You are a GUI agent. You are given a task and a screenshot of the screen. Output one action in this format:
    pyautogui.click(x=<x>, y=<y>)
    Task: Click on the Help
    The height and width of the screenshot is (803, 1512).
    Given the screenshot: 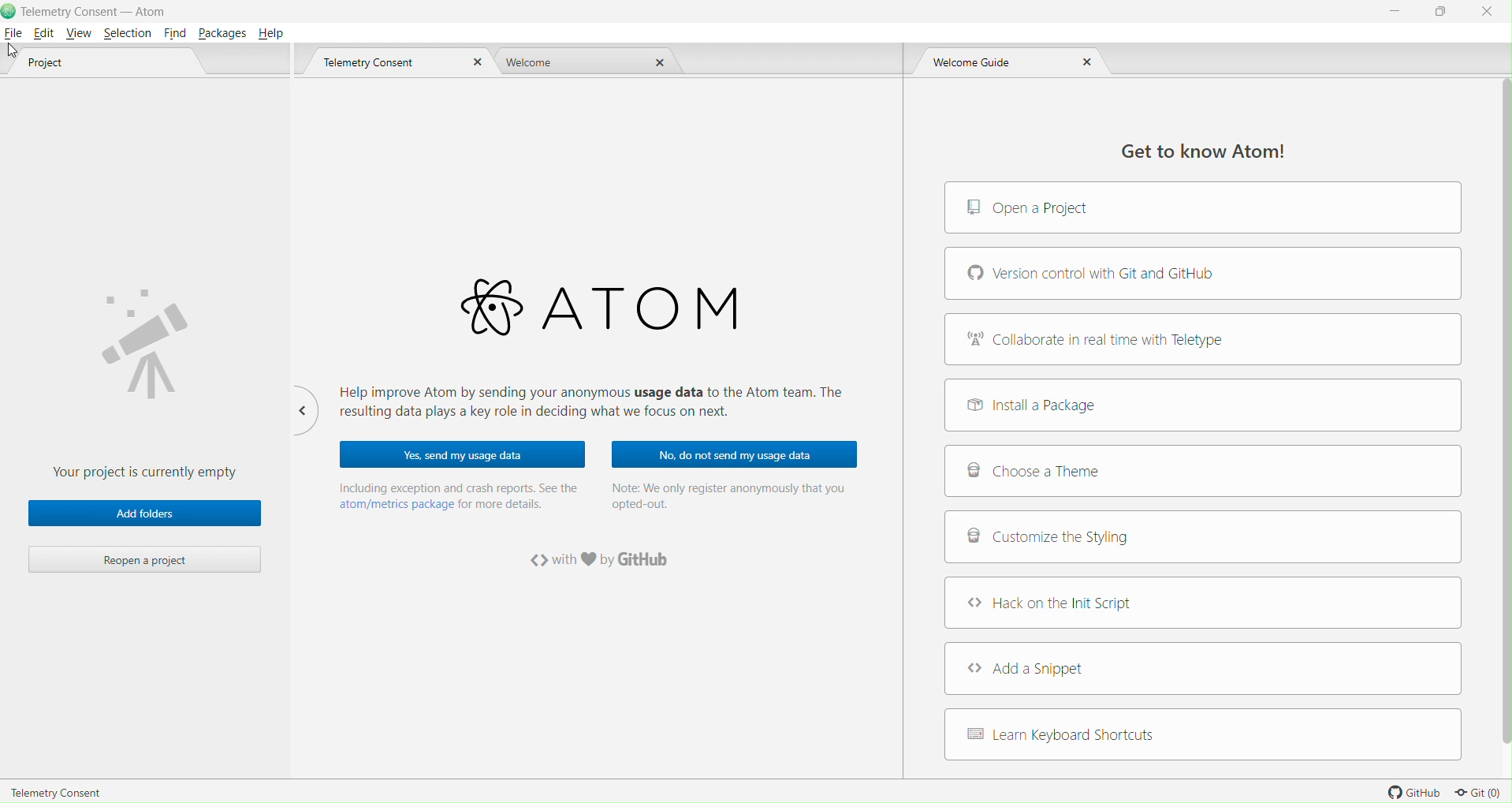 What is the action you would take?
    pyautogui.click(x=274, y=32)
    